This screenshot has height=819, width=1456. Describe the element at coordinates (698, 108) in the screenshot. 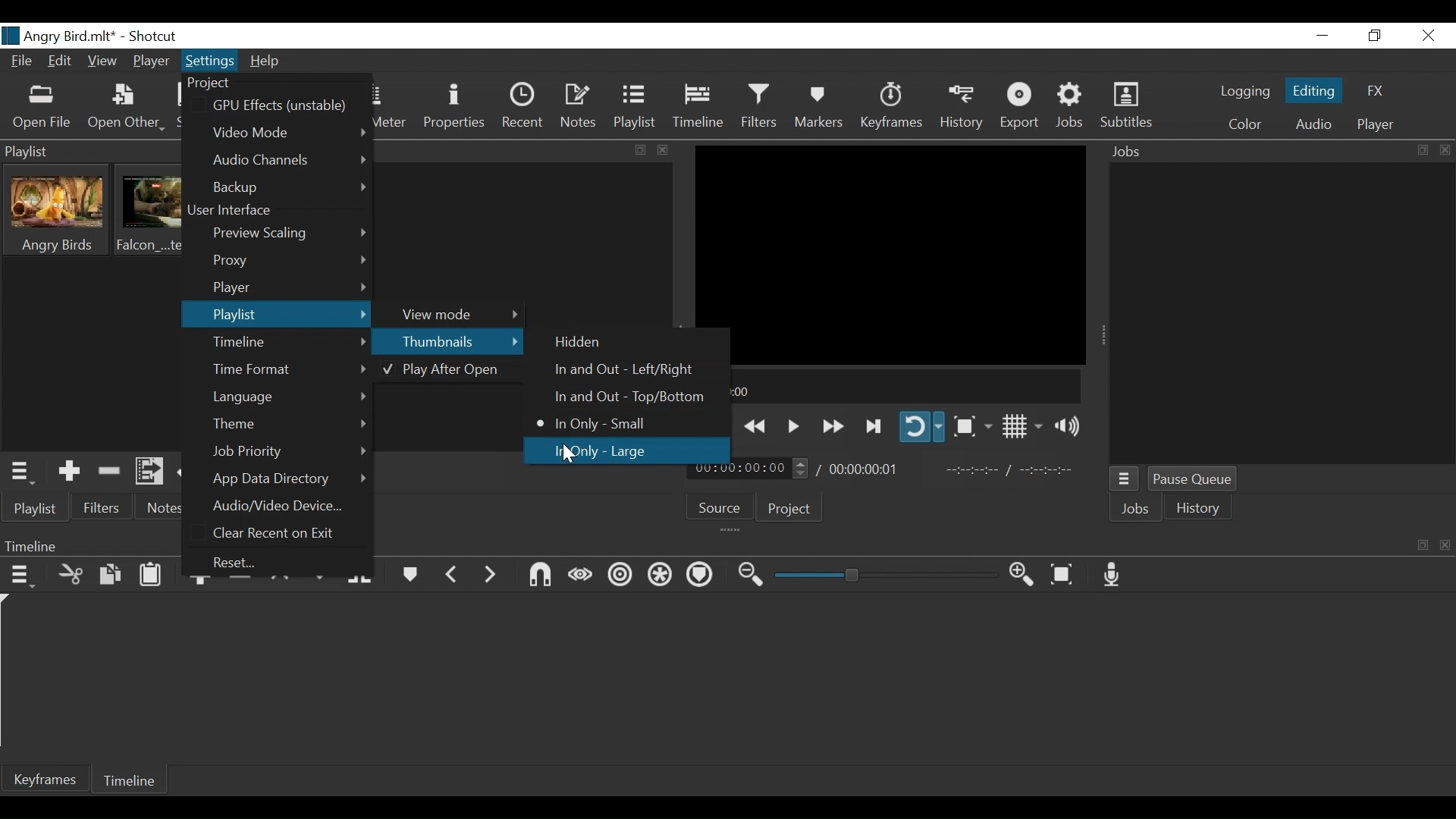

I see `Timeline` at that location.